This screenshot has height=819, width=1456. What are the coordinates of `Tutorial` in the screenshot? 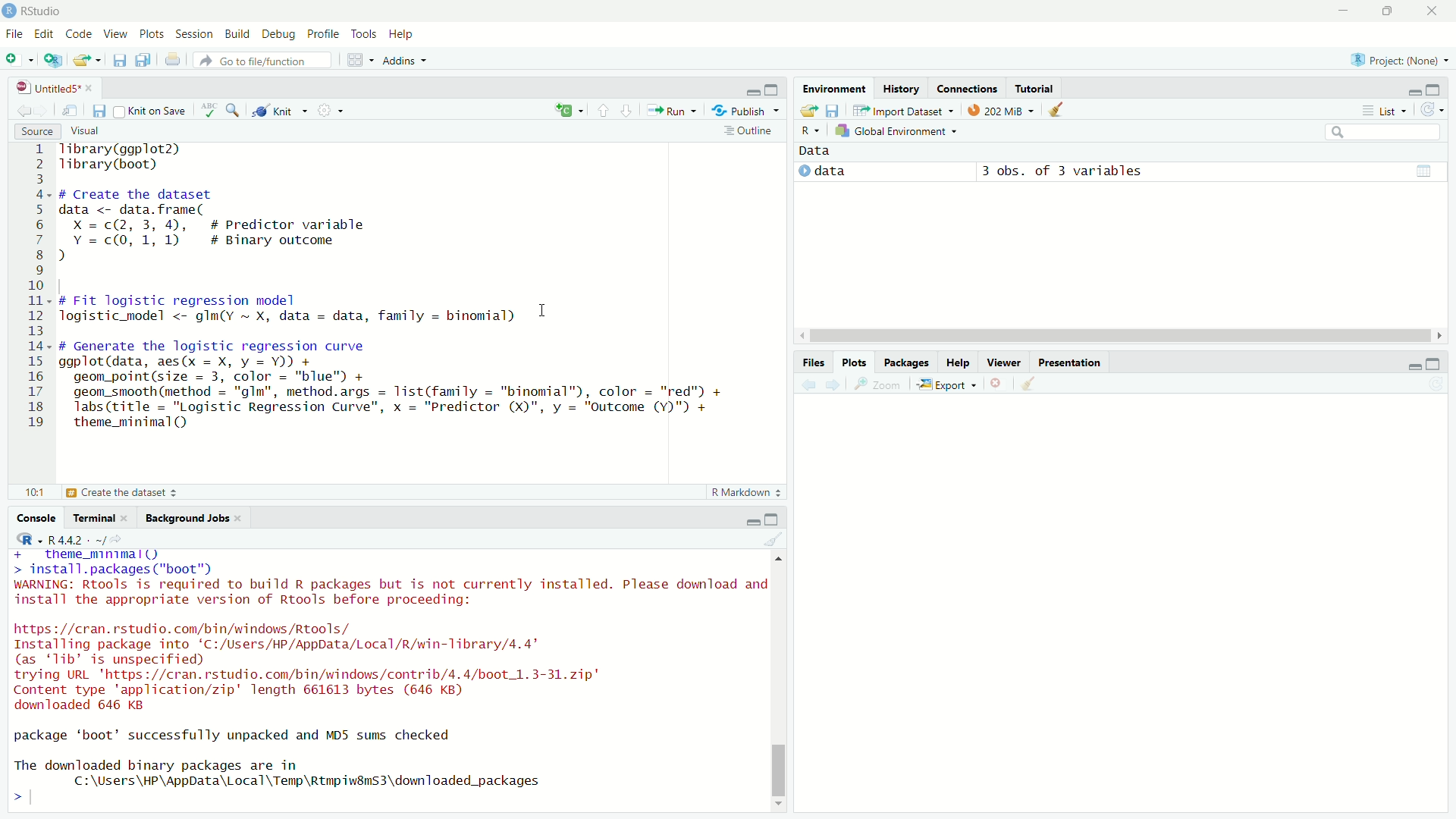 It's located at (1035, 87).